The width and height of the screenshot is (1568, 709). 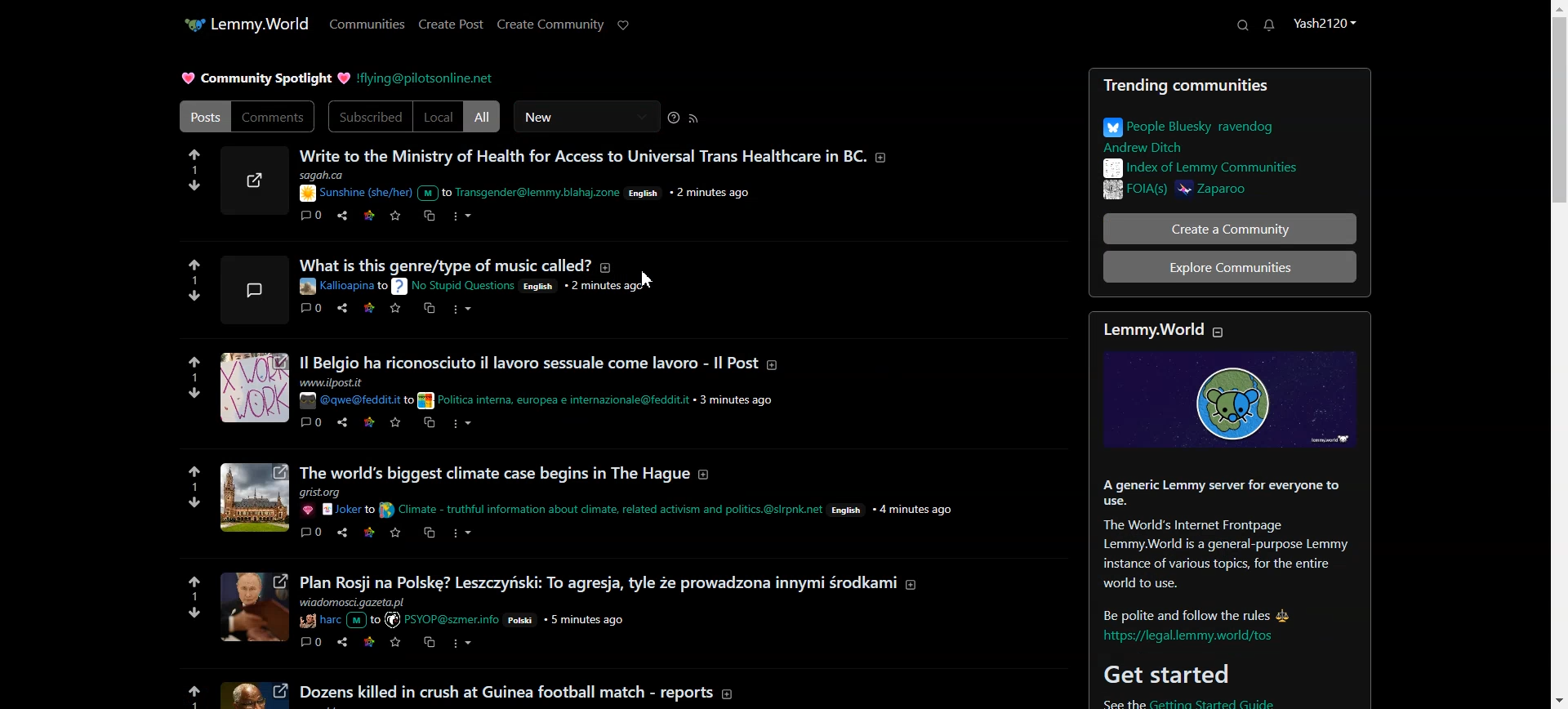 I want to click on text, so click(x=497, y=194).